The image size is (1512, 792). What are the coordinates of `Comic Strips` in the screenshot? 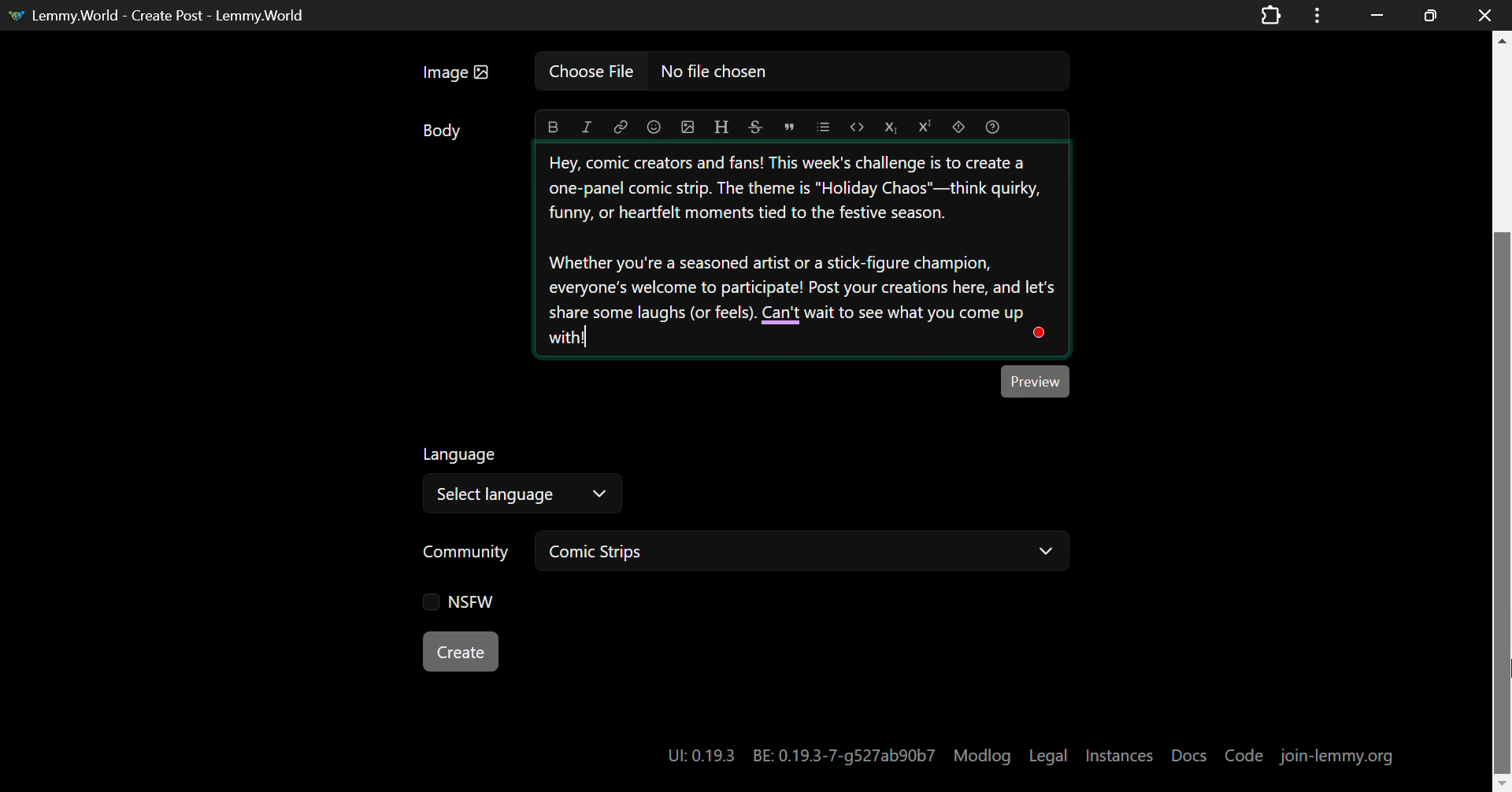 It's located at (806, 551).